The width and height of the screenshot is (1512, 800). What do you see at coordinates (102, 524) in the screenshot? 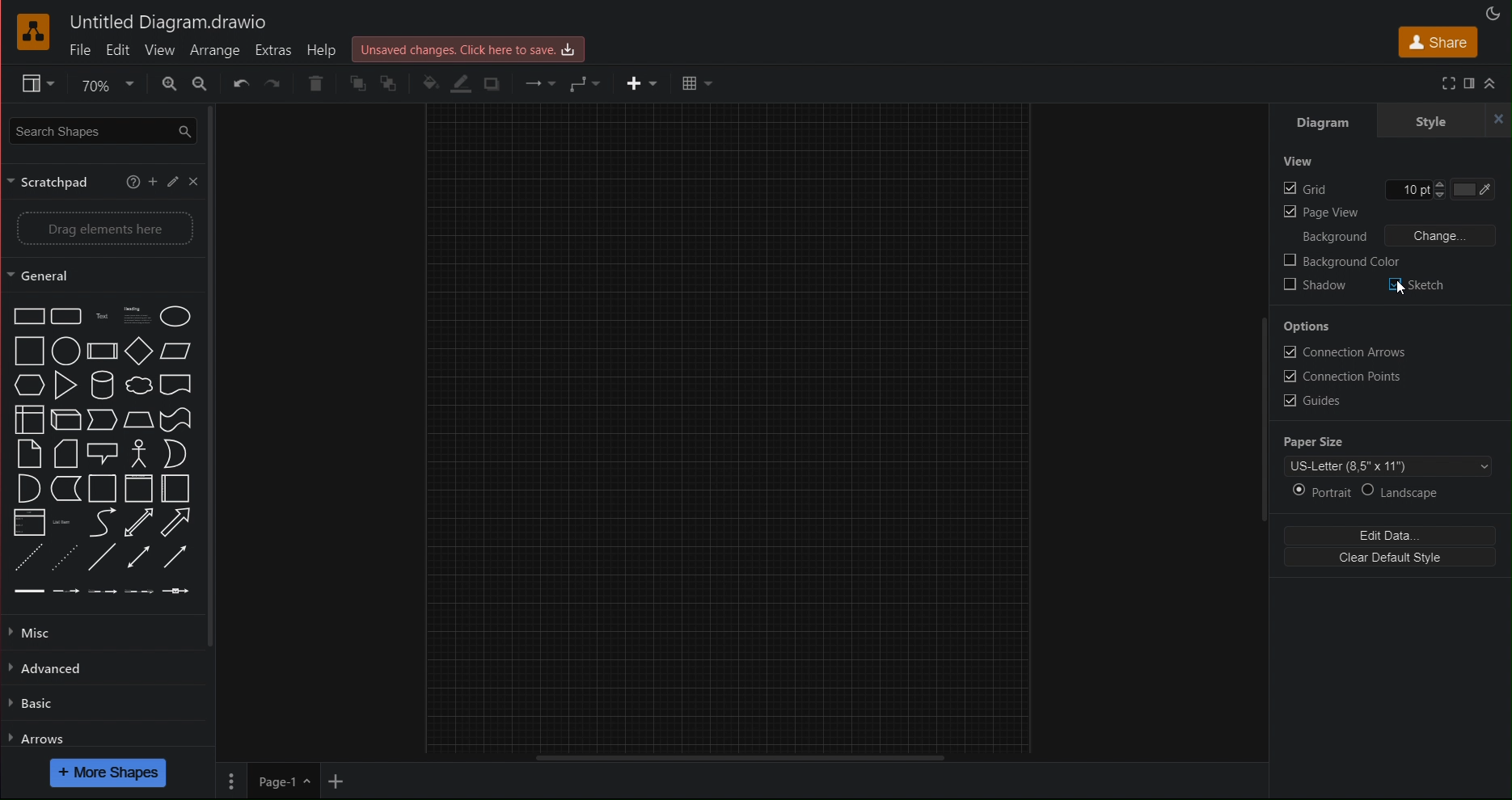
I see `curve` at bounding box center [102, 524].